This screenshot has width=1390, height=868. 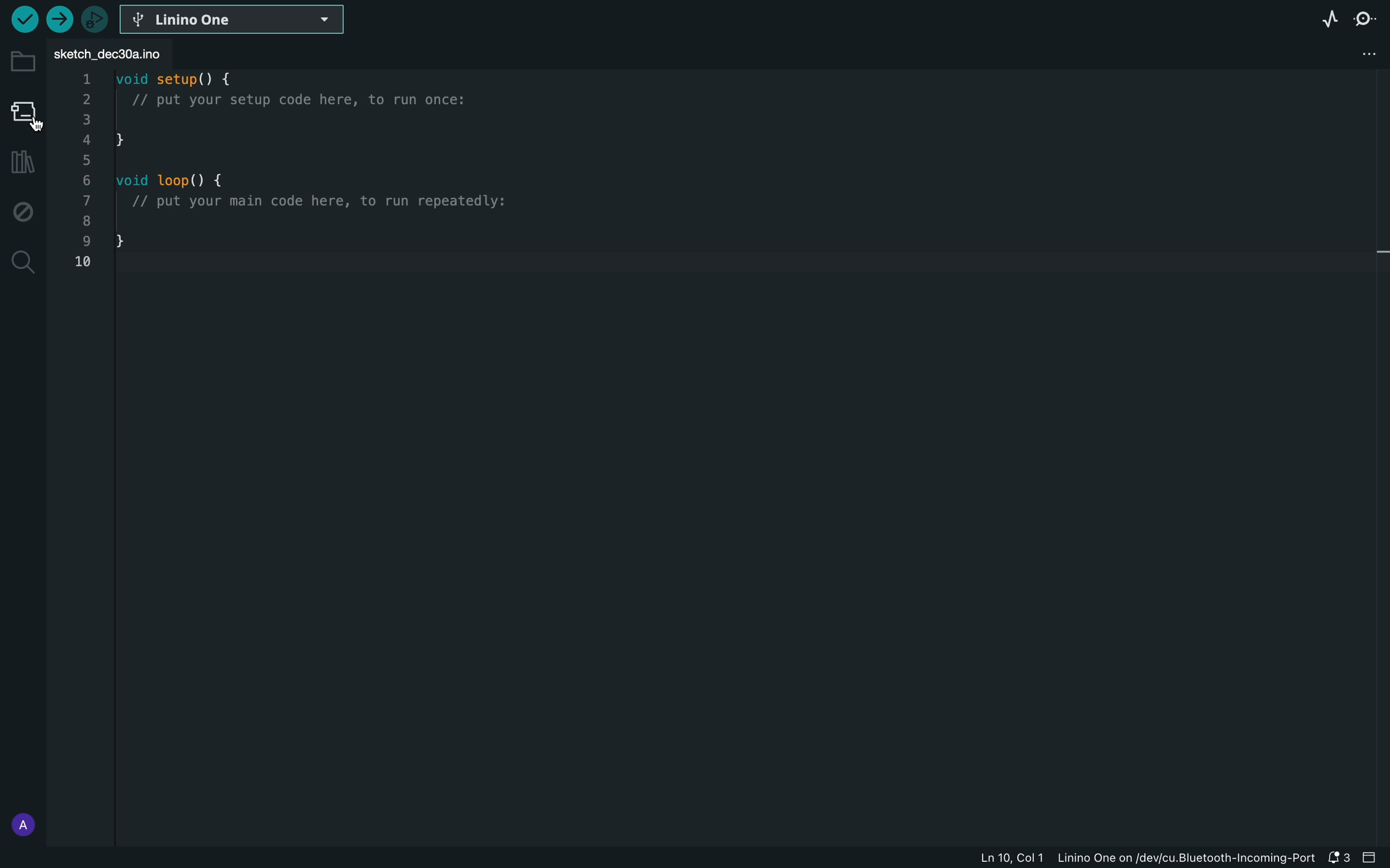 What do you see at coordinates (22, 262) in the screenshot?
I see `search` at bounding box center [22, 262].